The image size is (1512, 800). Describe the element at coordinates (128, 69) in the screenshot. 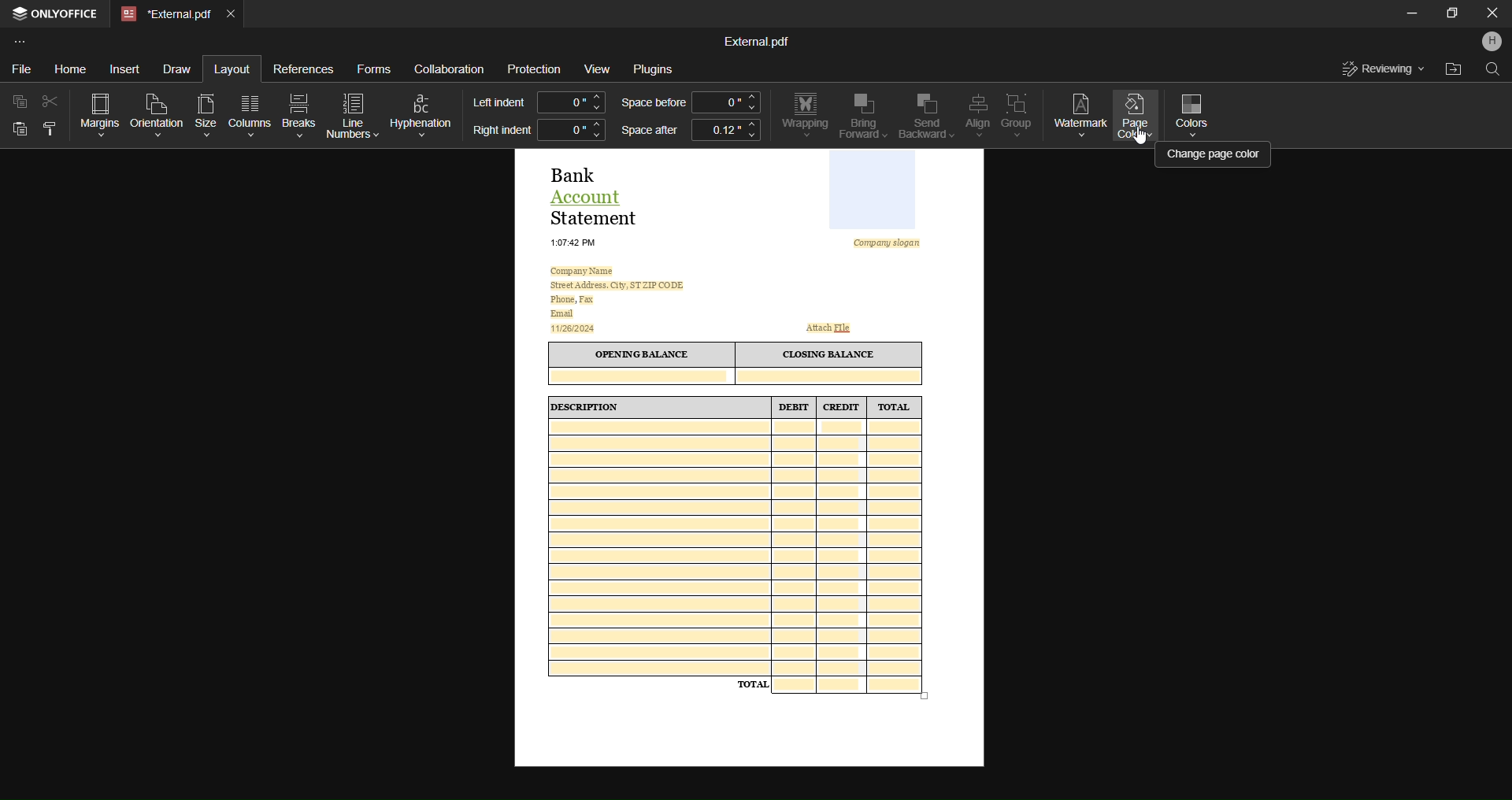

I see `Insert` at that location.